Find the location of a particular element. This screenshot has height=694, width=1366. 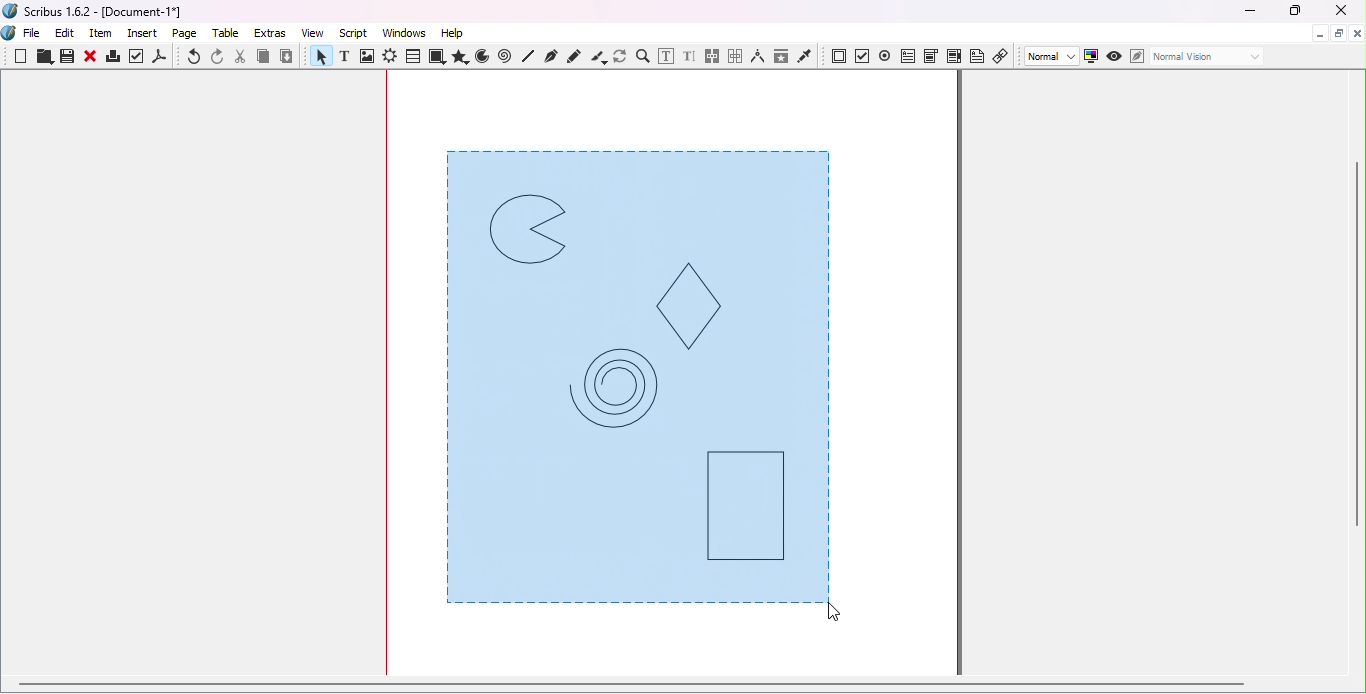

Freehand line is located at coordinates (575, 56).